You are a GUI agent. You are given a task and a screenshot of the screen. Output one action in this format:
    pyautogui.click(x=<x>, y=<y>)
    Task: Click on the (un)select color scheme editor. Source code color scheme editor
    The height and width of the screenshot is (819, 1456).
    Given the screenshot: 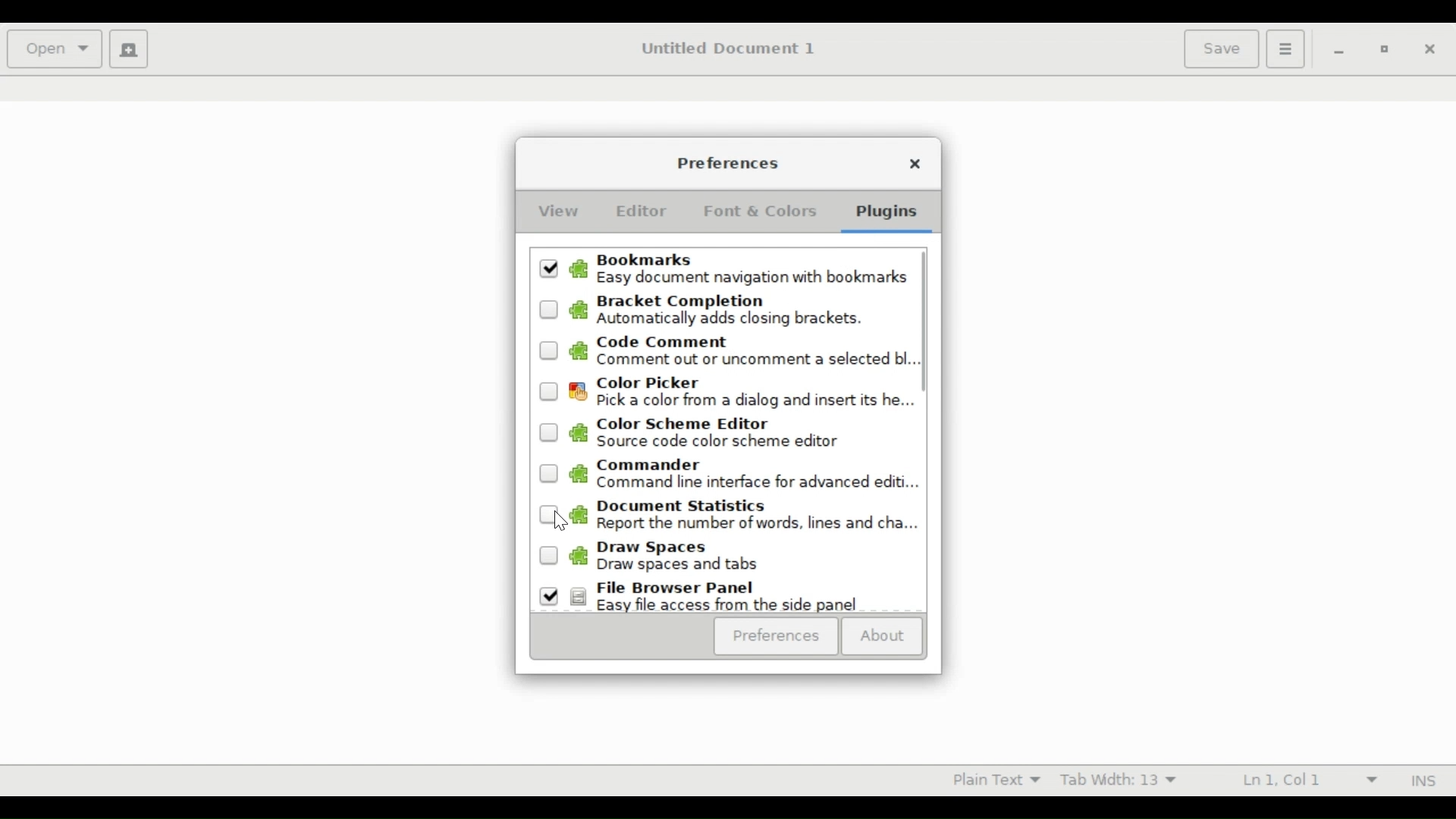 What is the action you would take?
    pyautogui.click(x=740, y=433)
    